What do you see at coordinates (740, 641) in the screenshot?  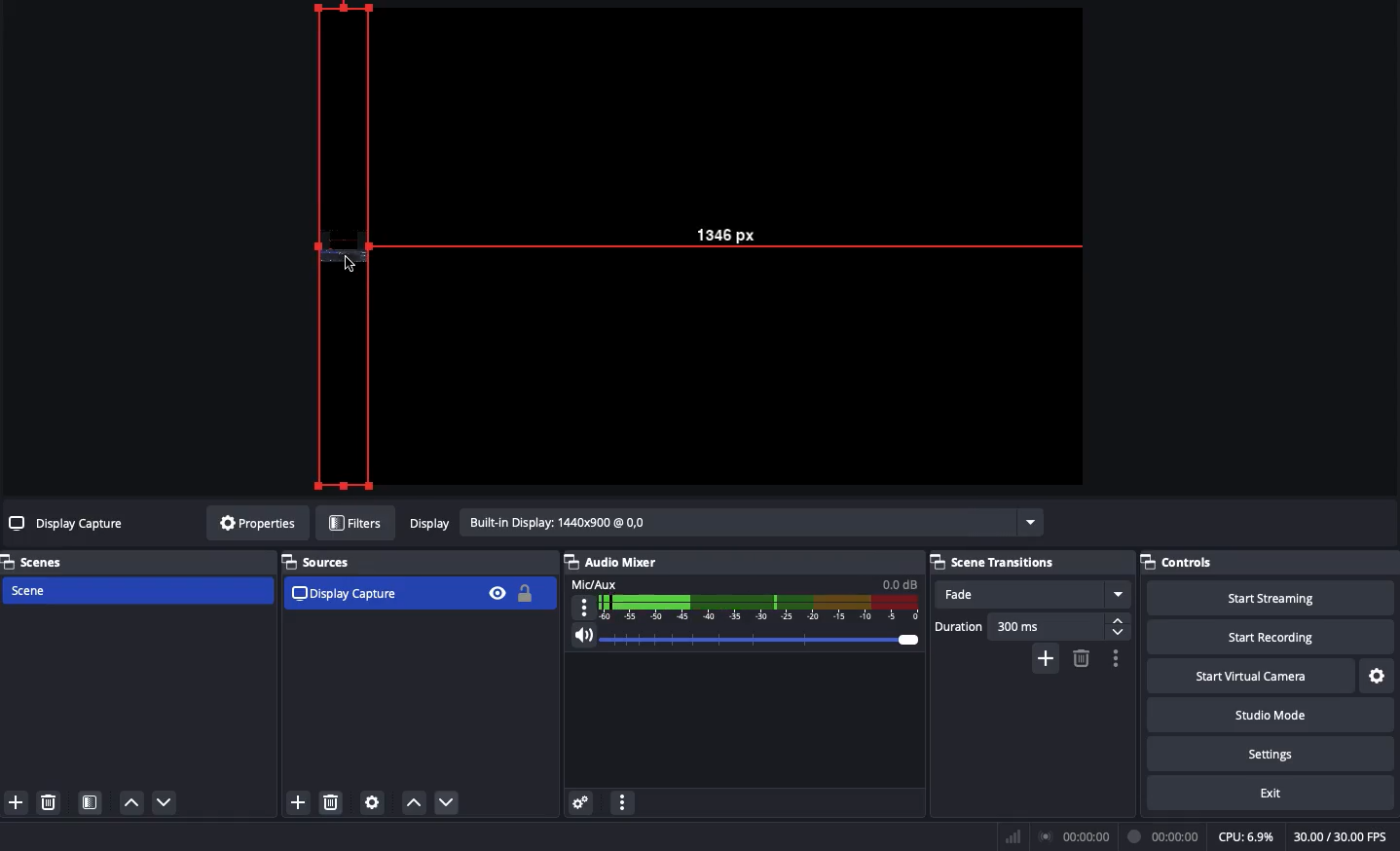 I see `Volume` at bounding box center [740, 641].